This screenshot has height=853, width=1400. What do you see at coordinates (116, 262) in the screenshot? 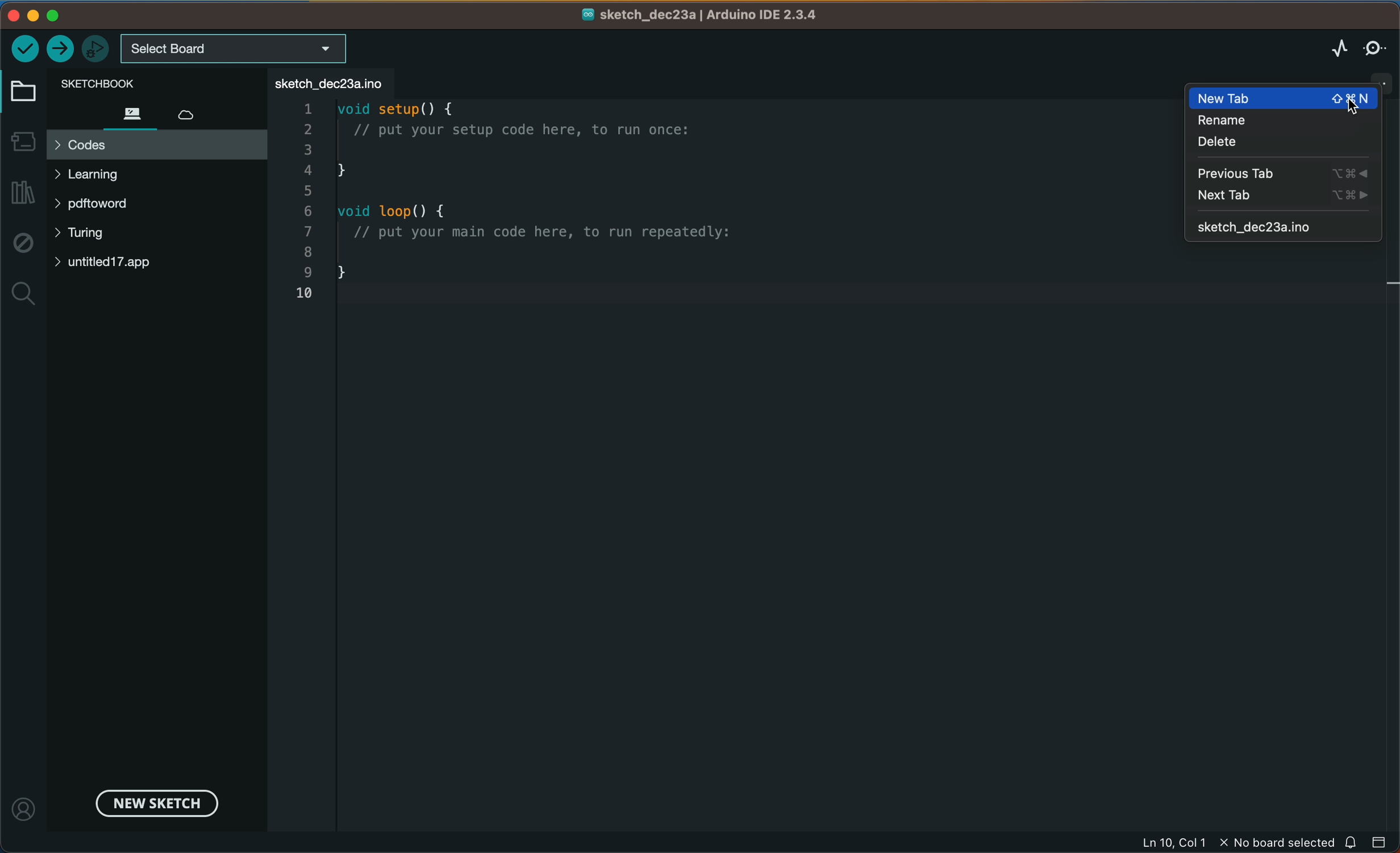
I see `untitled 17` at bounding box center [116, 262].